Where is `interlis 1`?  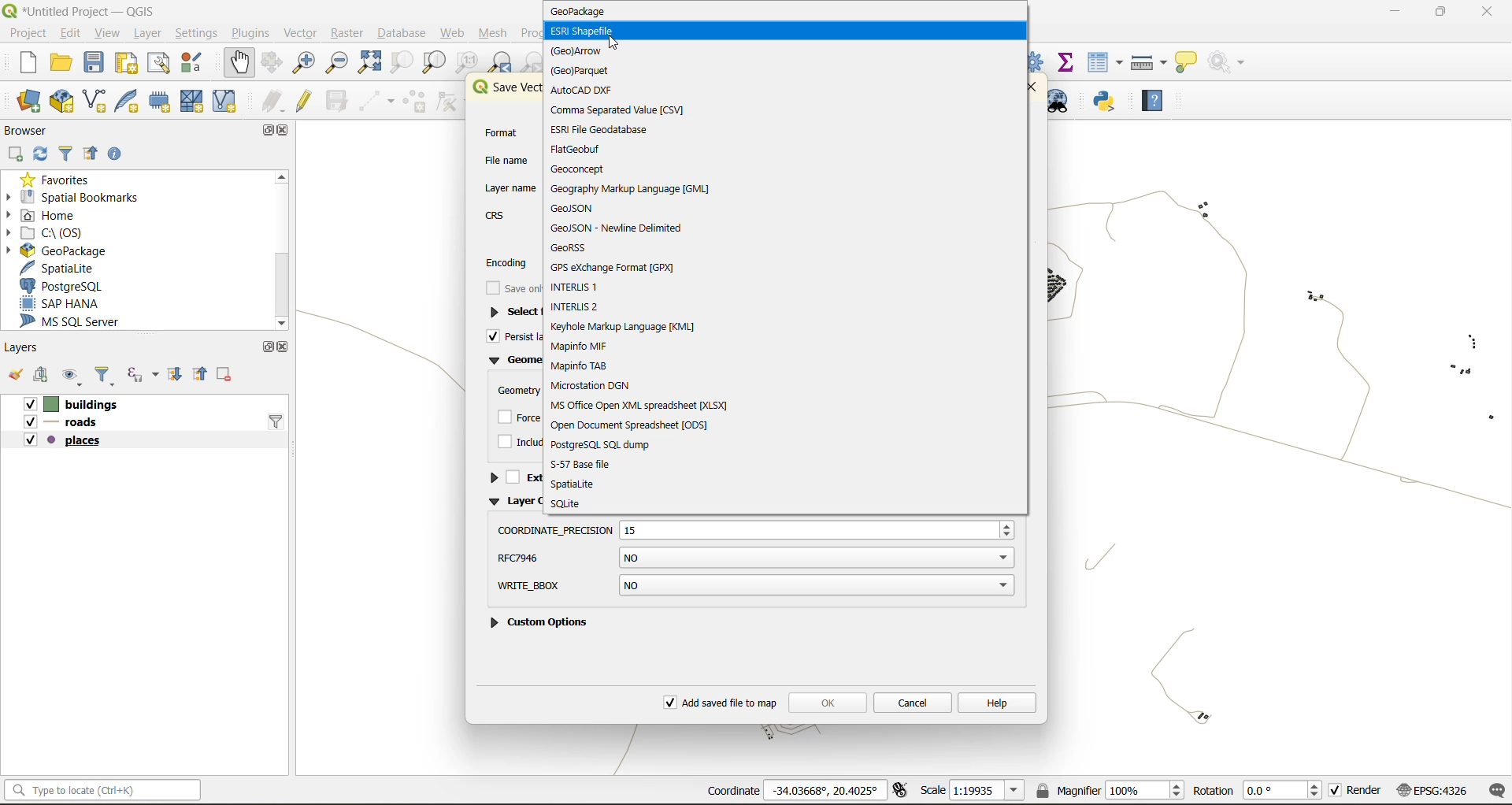 interlis 1 is located at coordinates (578, 287).